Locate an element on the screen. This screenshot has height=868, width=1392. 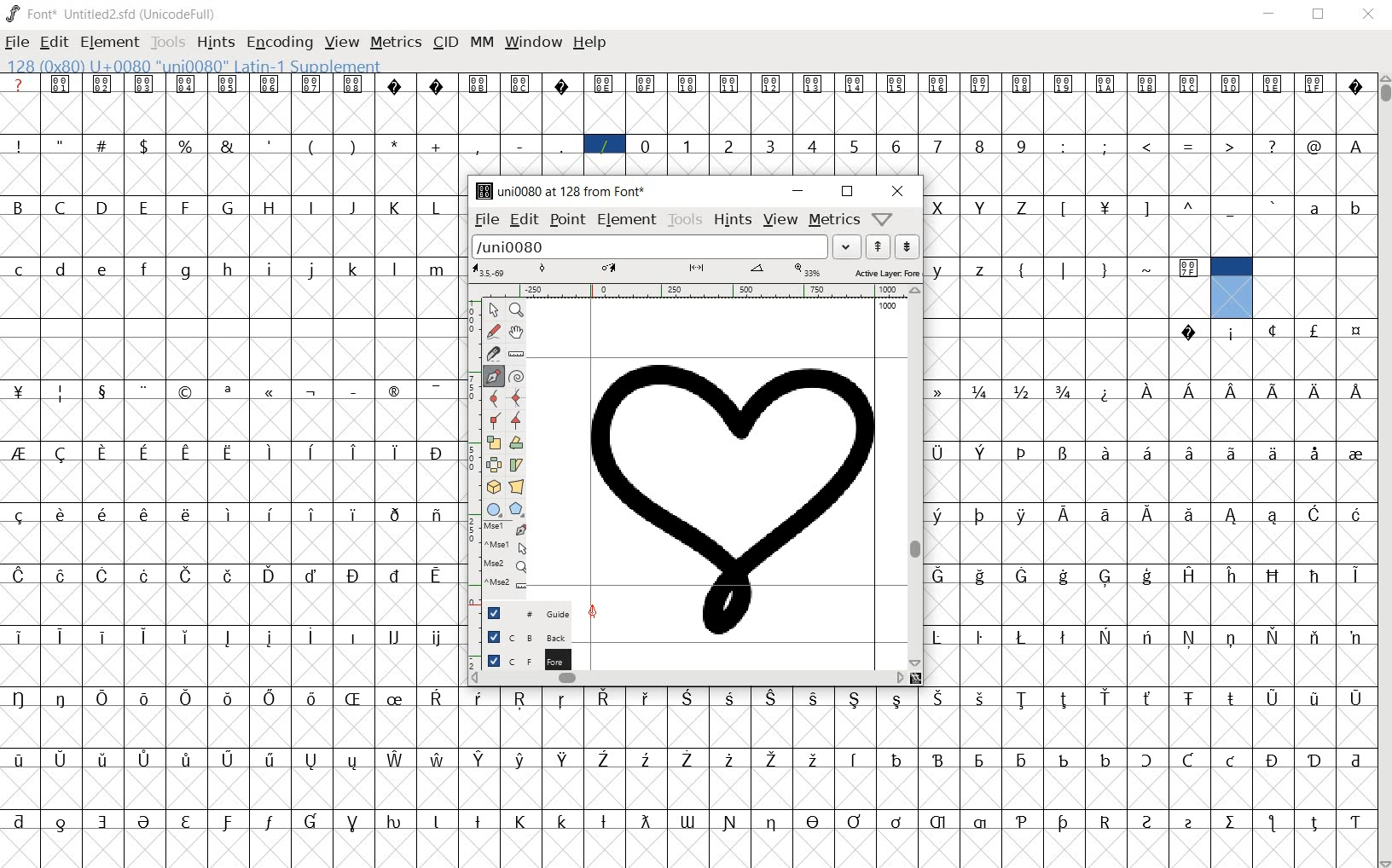
glyph is located at coordinates (1106, 84).